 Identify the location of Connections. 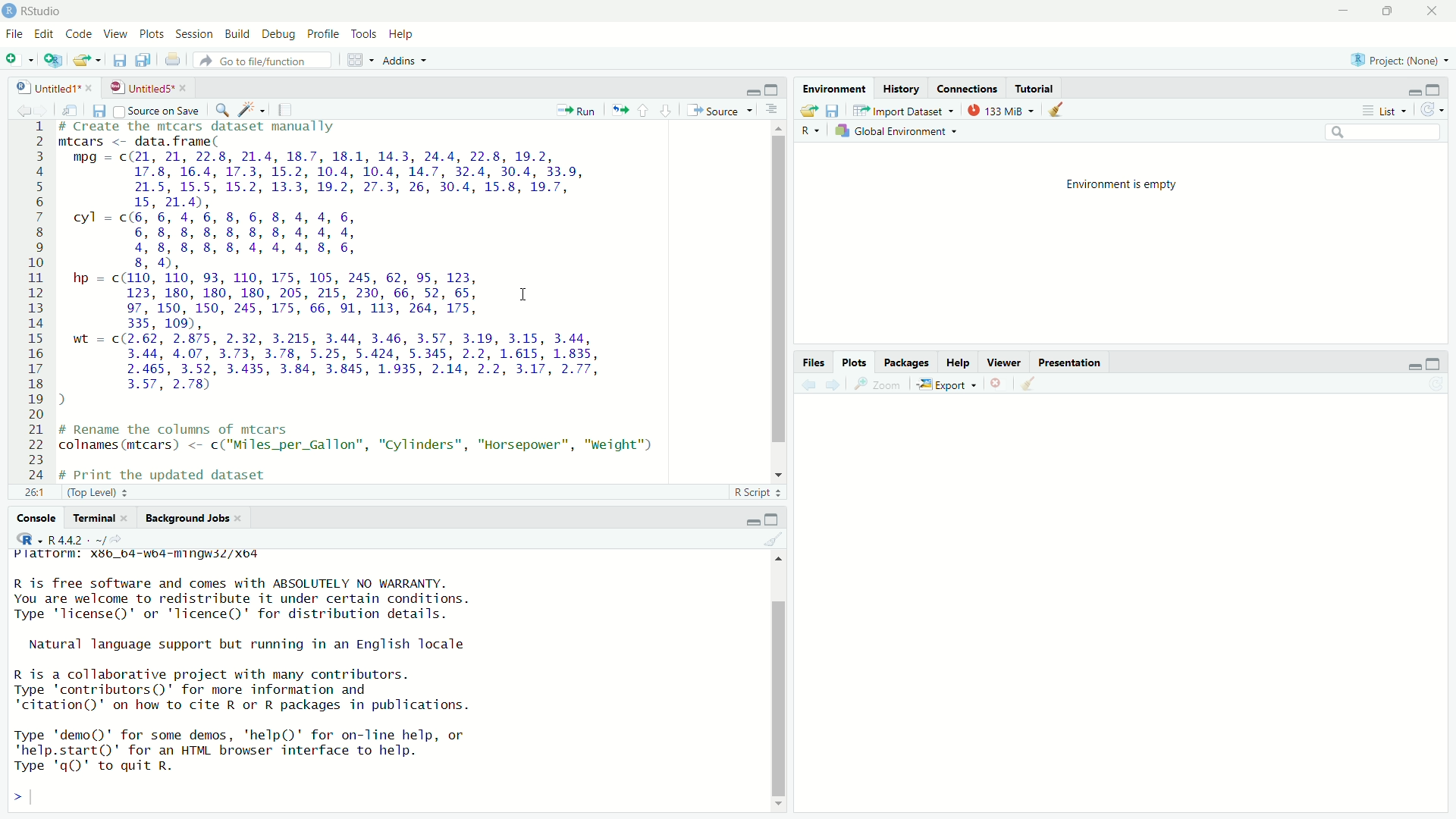
(967, 89).